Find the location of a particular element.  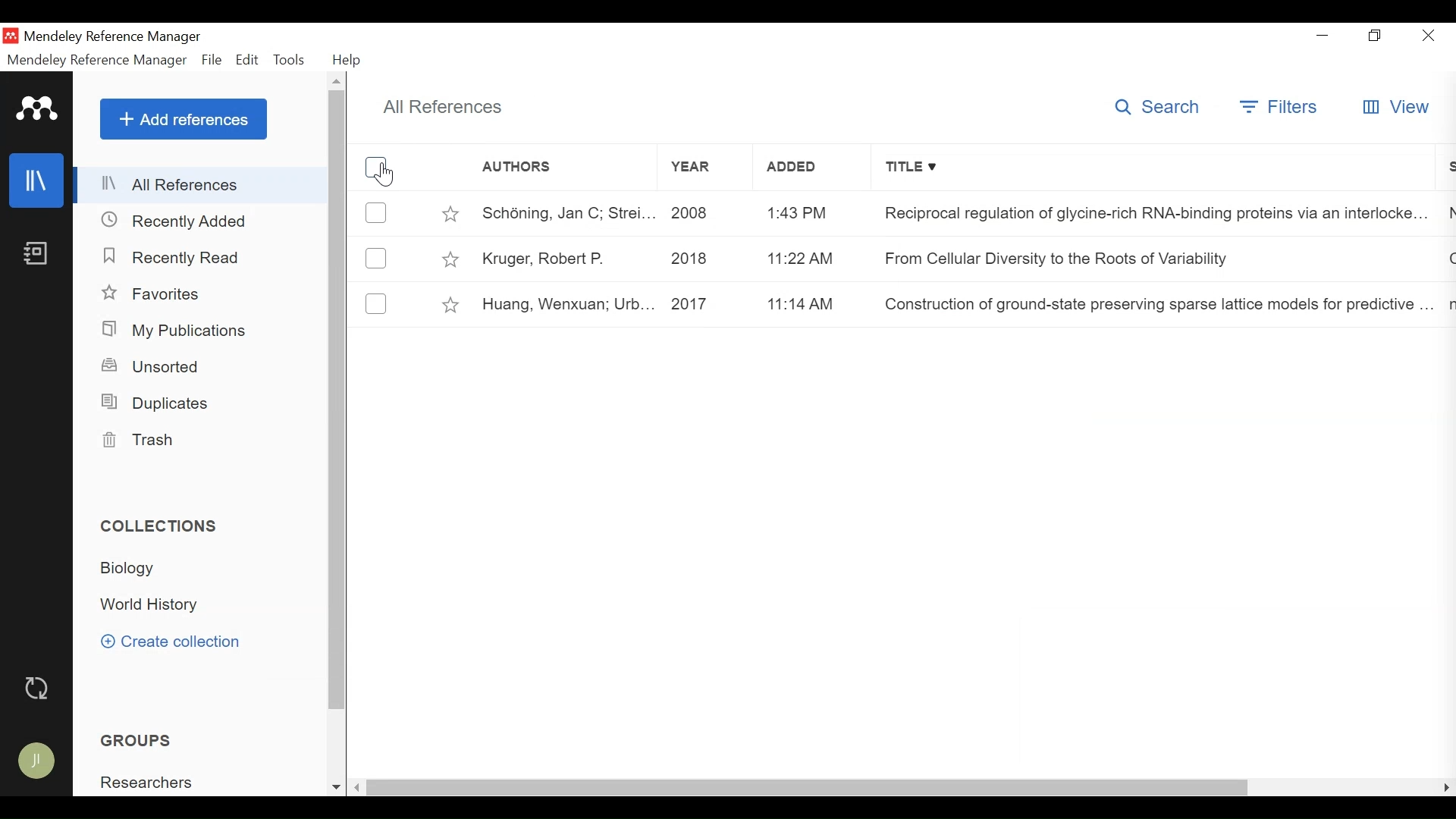

2018 is located at coordinates (701, 258).